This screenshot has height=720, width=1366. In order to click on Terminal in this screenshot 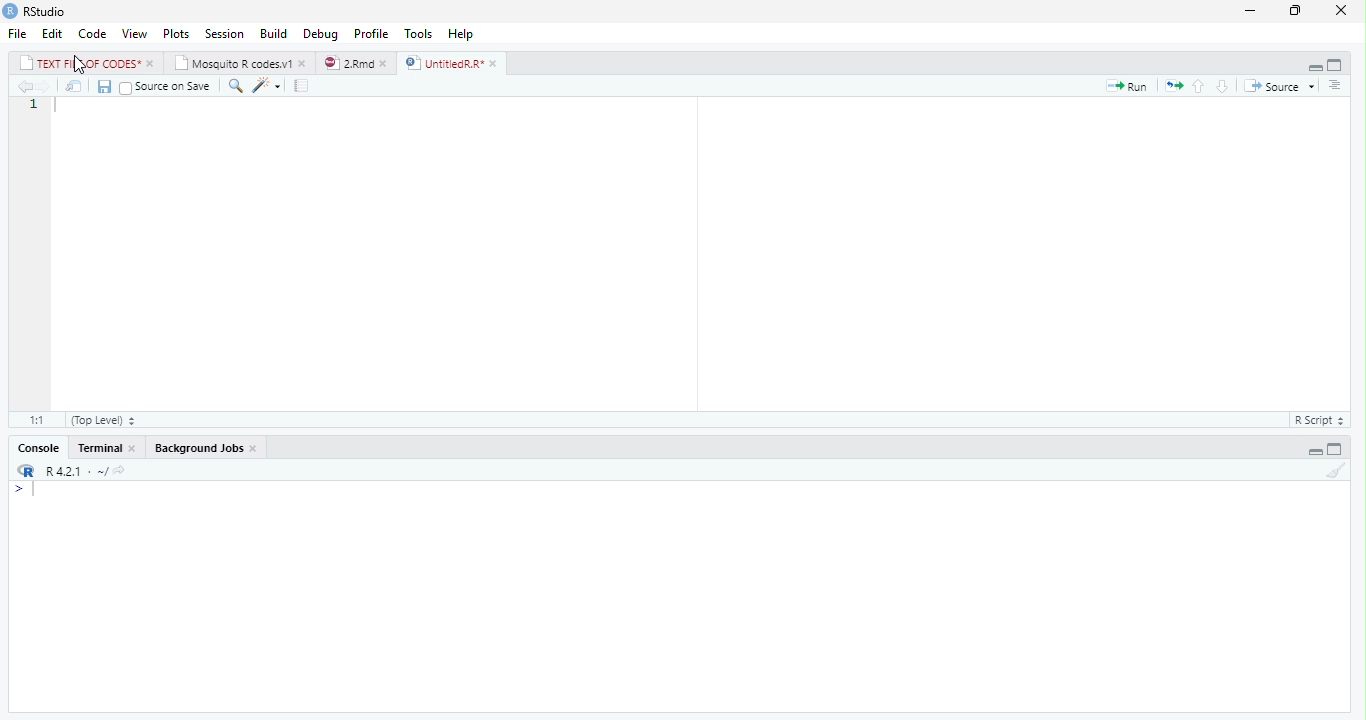, I will do `click(108, 448)`.